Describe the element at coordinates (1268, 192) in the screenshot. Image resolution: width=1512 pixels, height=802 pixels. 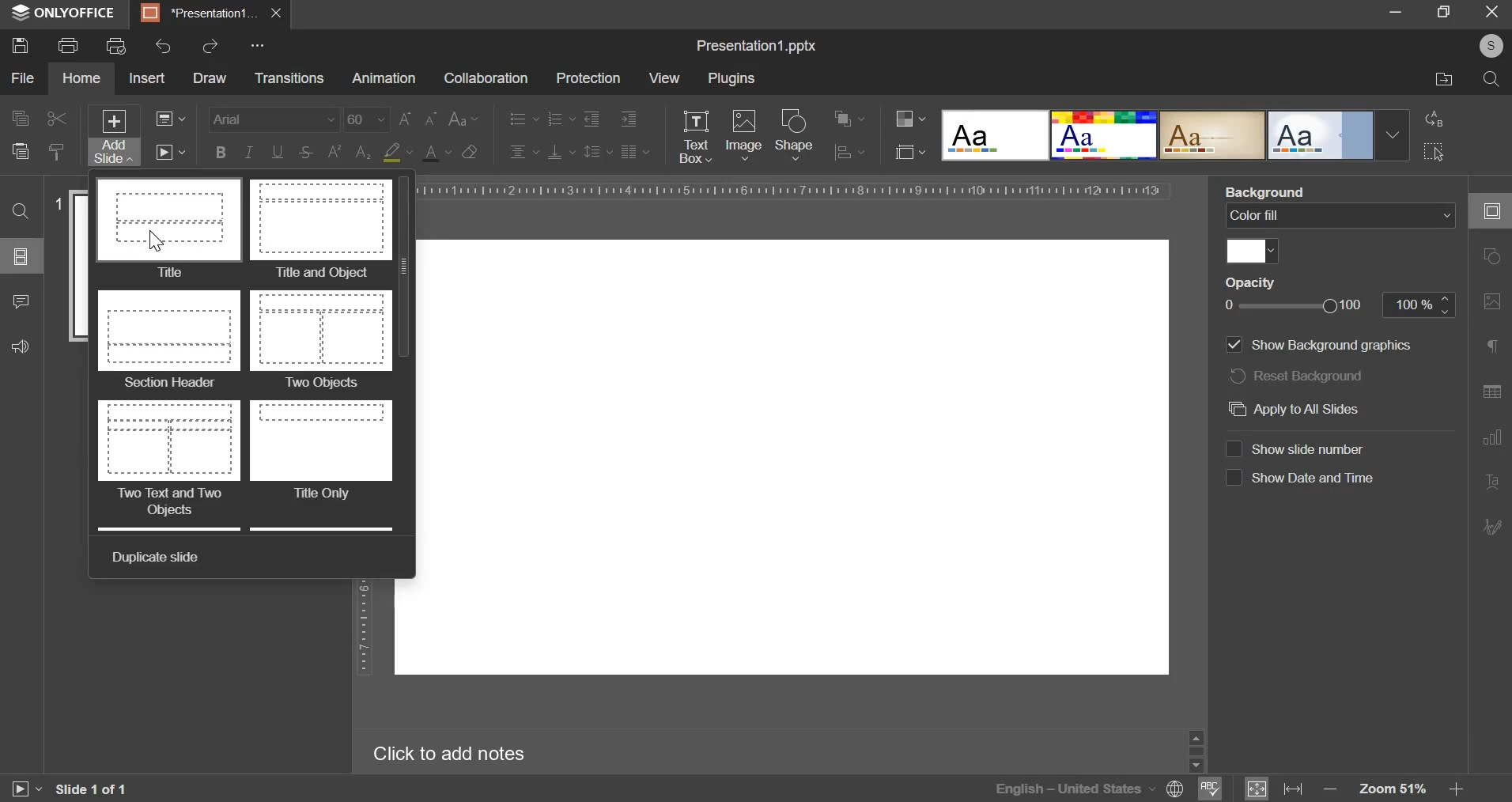
I see `background` at that location.